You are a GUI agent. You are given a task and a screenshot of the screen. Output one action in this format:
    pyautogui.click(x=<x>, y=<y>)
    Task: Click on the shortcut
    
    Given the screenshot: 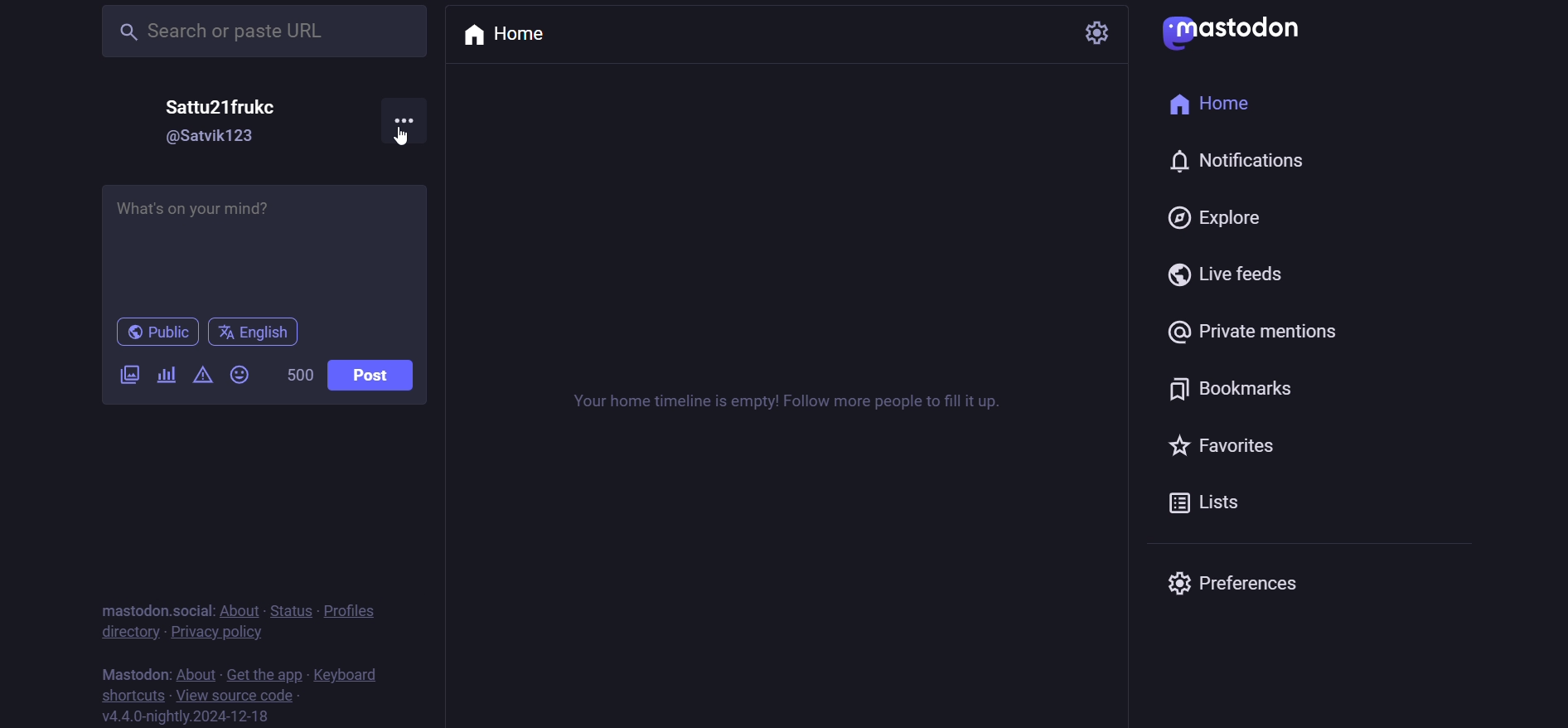 What is the action you would take?
    pyautogui.click(x=133, y=696)
    